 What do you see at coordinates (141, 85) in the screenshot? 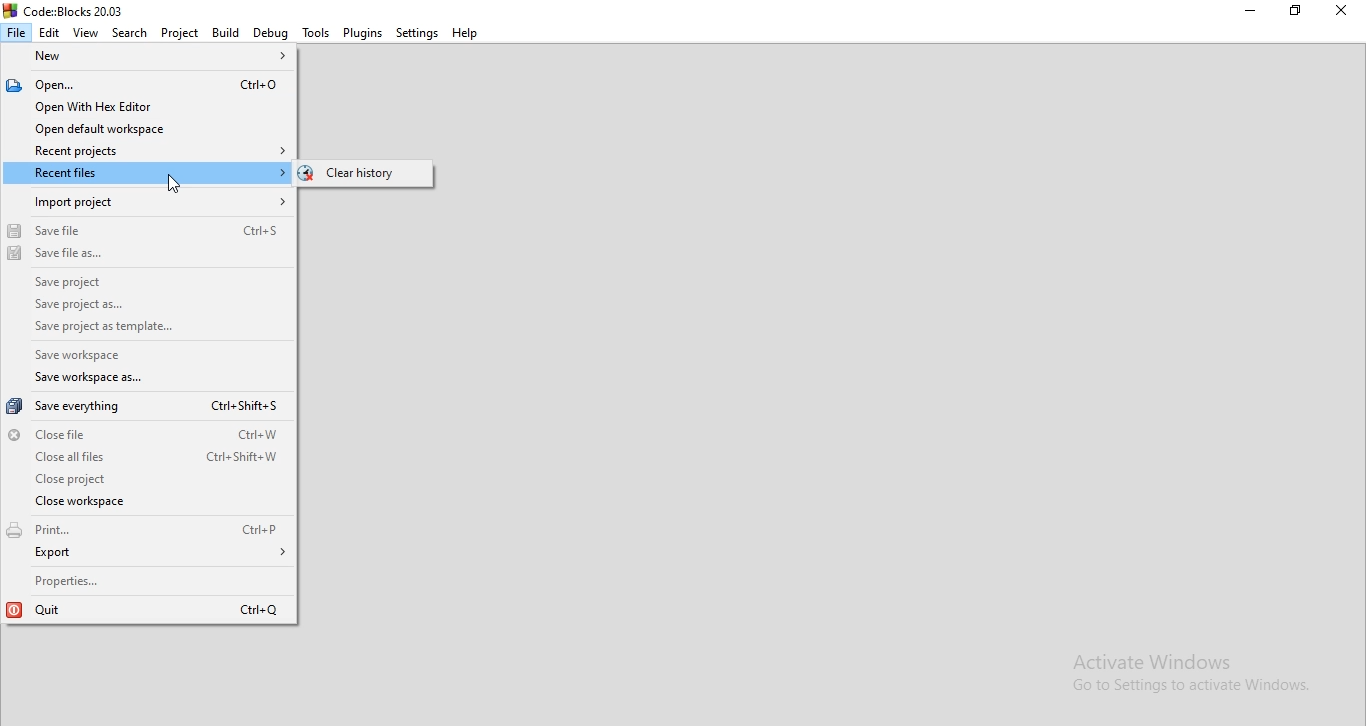
I see `Open` at bounding box center [141, 85].